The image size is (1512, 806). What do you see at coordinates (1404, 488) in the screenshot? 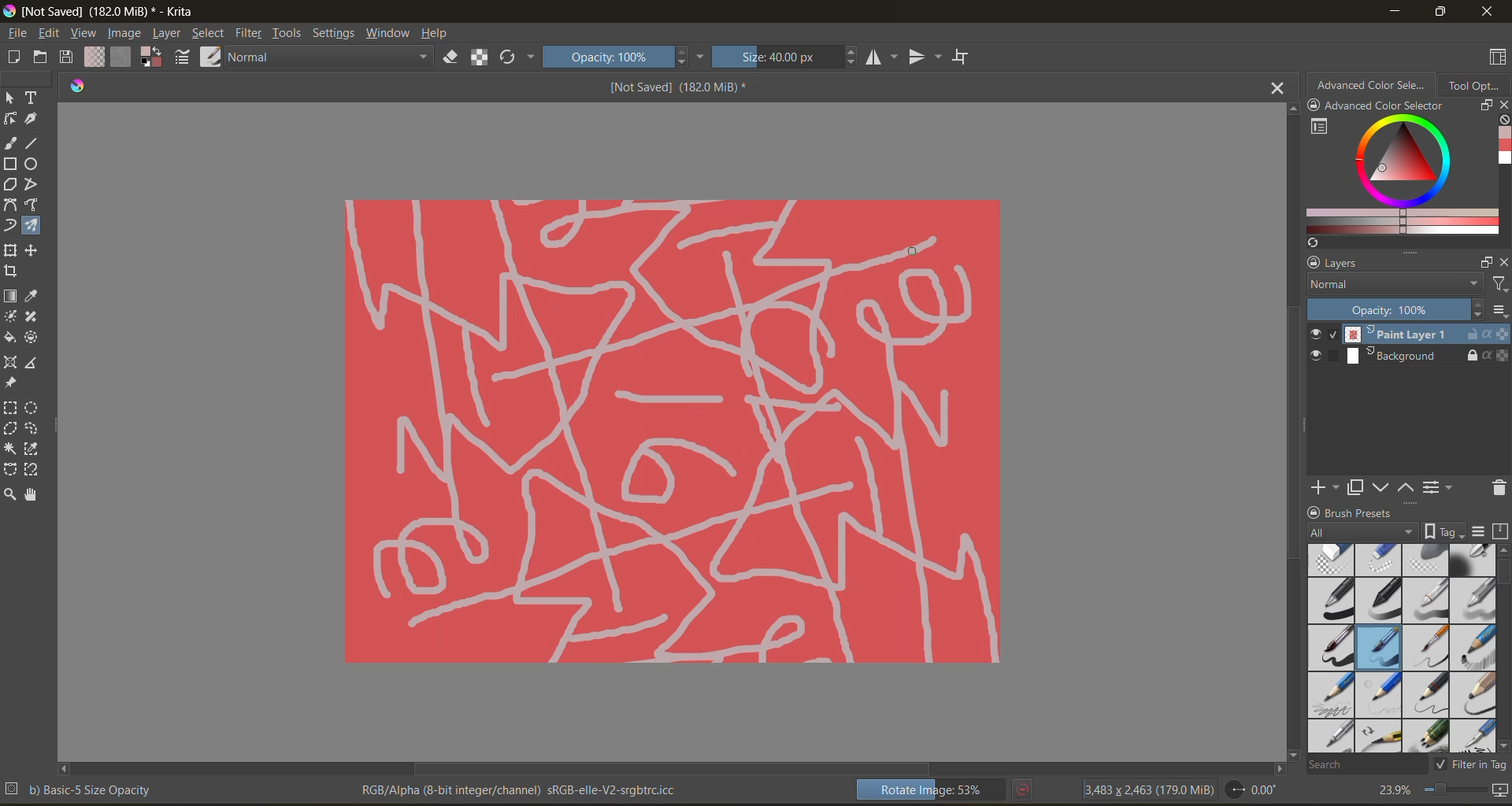
I see `mask up` at bounding box center [1404, 488].